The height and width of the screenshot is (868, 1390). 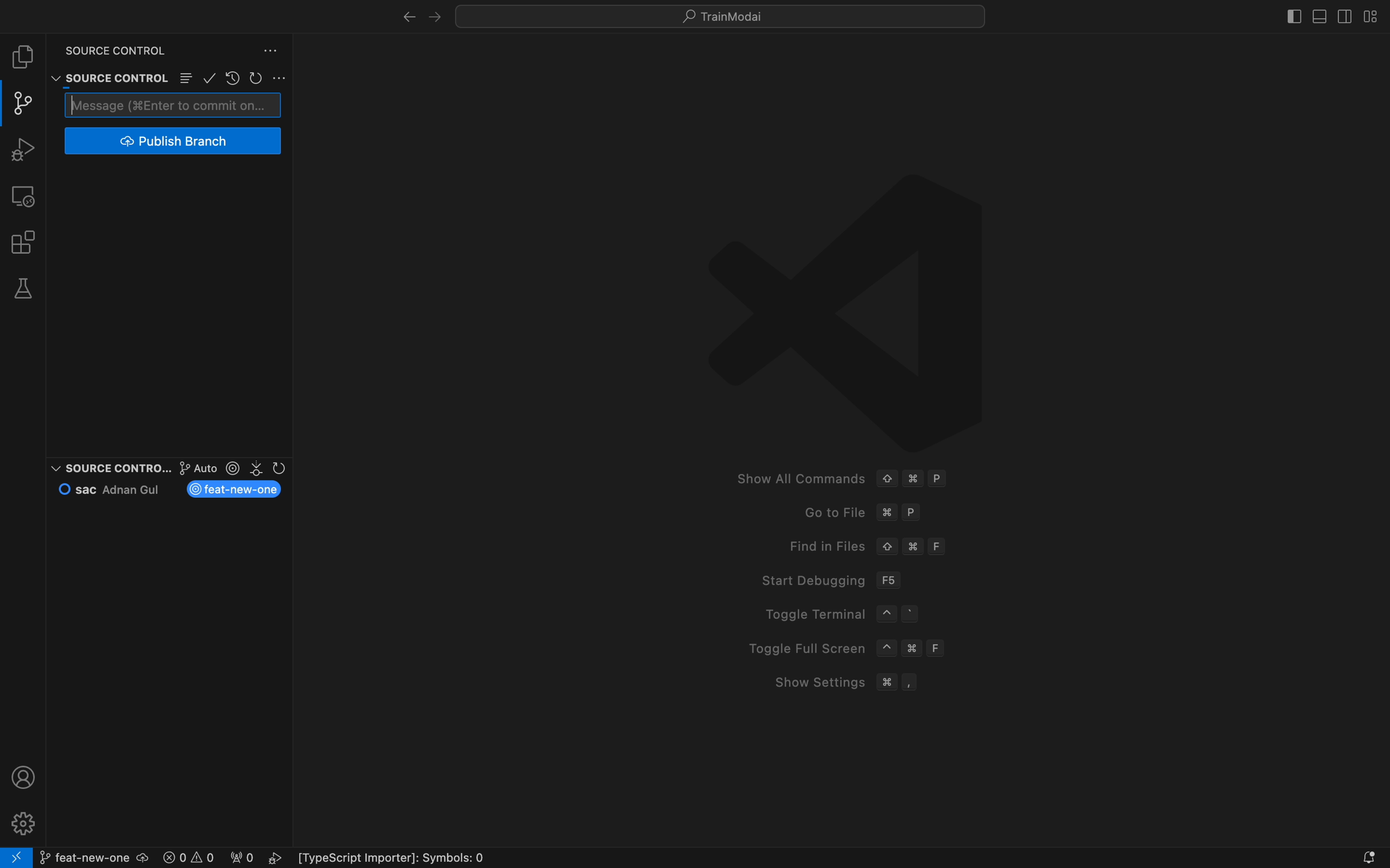 I want to click on welcome screen, so click(x=815, y=433).